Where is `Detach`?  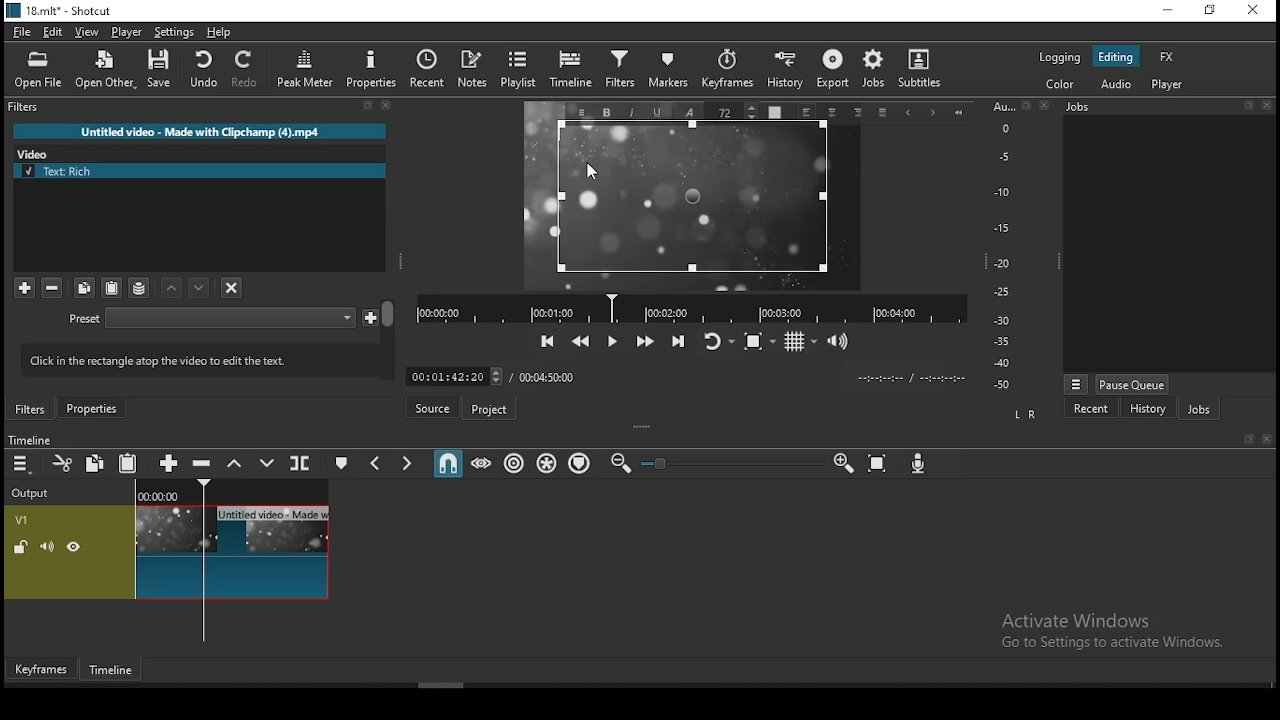 Detach is located at coordinates (1250, 439).